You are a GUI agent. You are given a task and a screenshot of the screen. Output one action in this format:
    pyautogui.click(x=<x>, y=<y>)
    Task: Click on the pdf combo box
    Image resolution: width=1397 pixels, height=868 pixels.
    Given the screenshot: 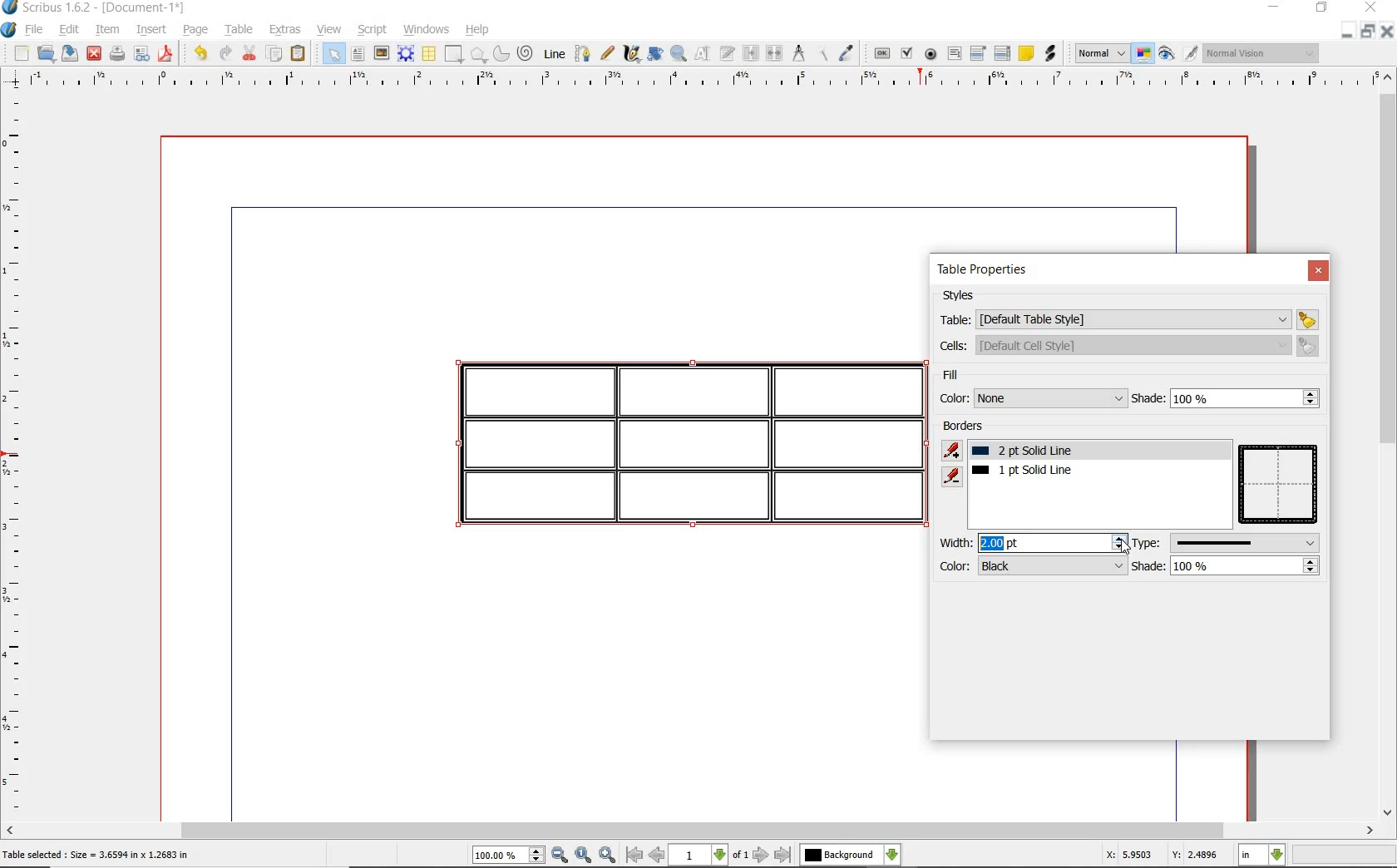 What is the action you would take?
    pyautogui.click(x=978, y=54)
    